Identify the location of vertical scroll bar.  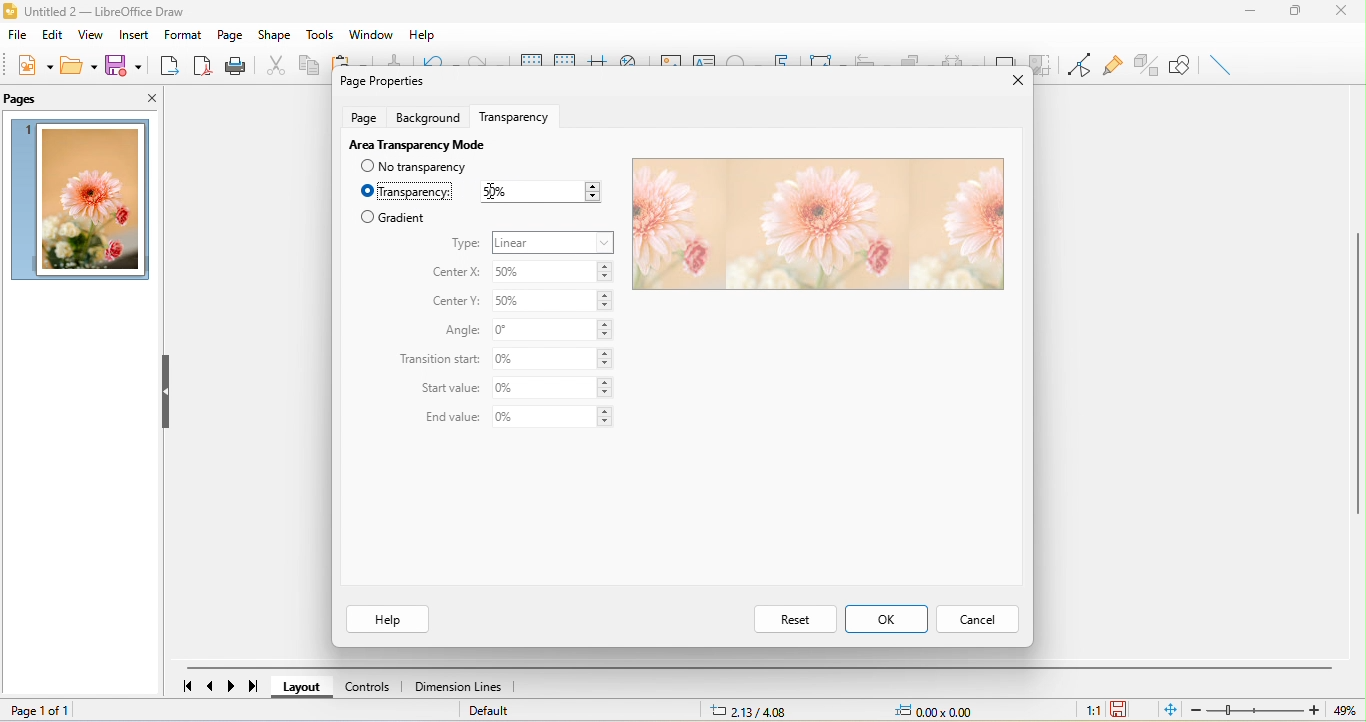
(1357, 371).